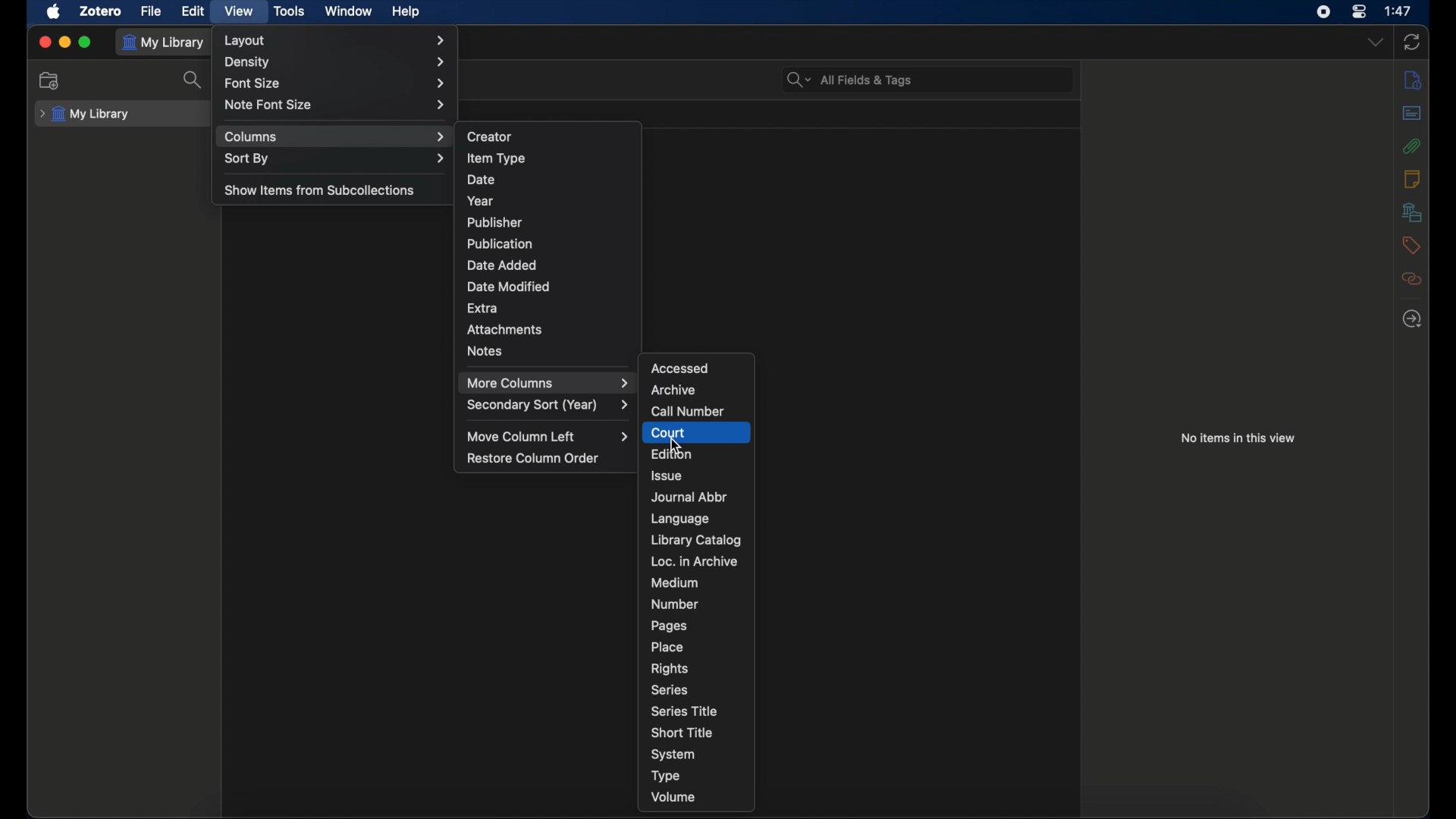 The image size is (1456, 819). Describe the element at coordinates (1398, 10) in the screenshot. I see `time (1:47)` at that location.